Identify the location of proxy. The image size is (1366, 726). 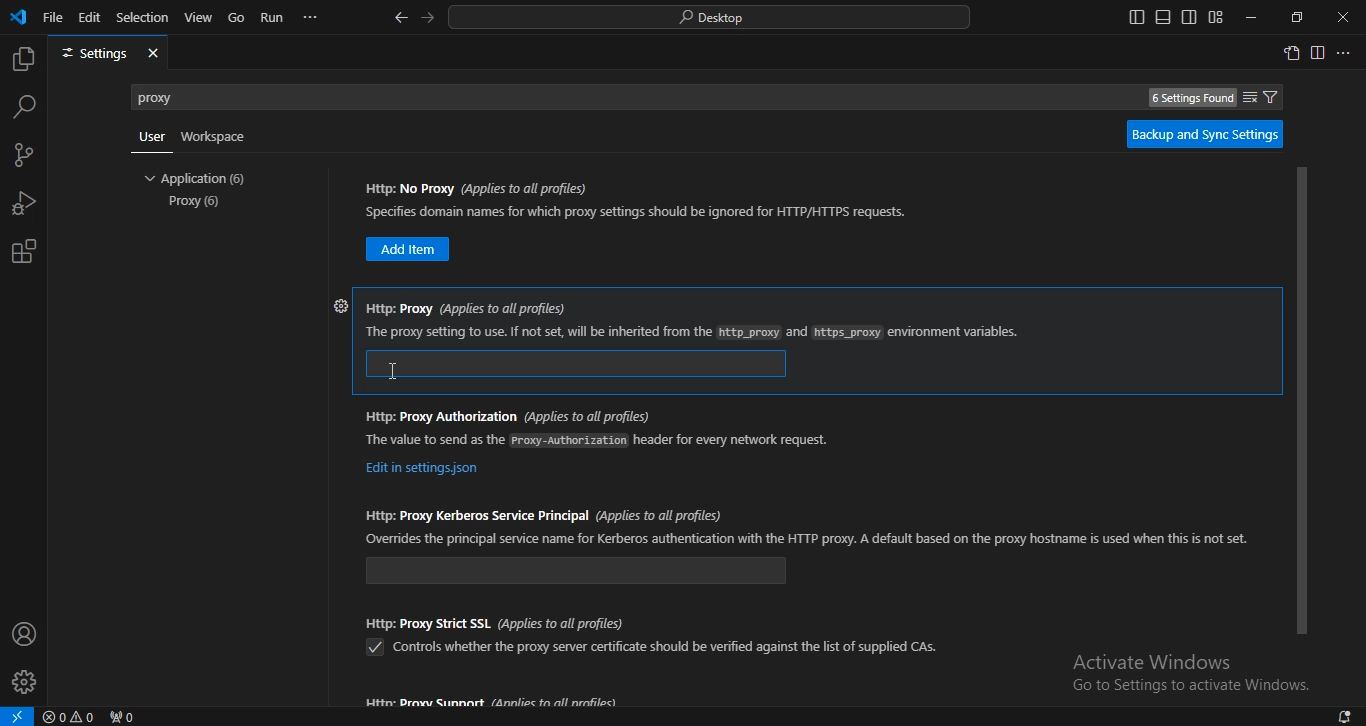
(197, 203).